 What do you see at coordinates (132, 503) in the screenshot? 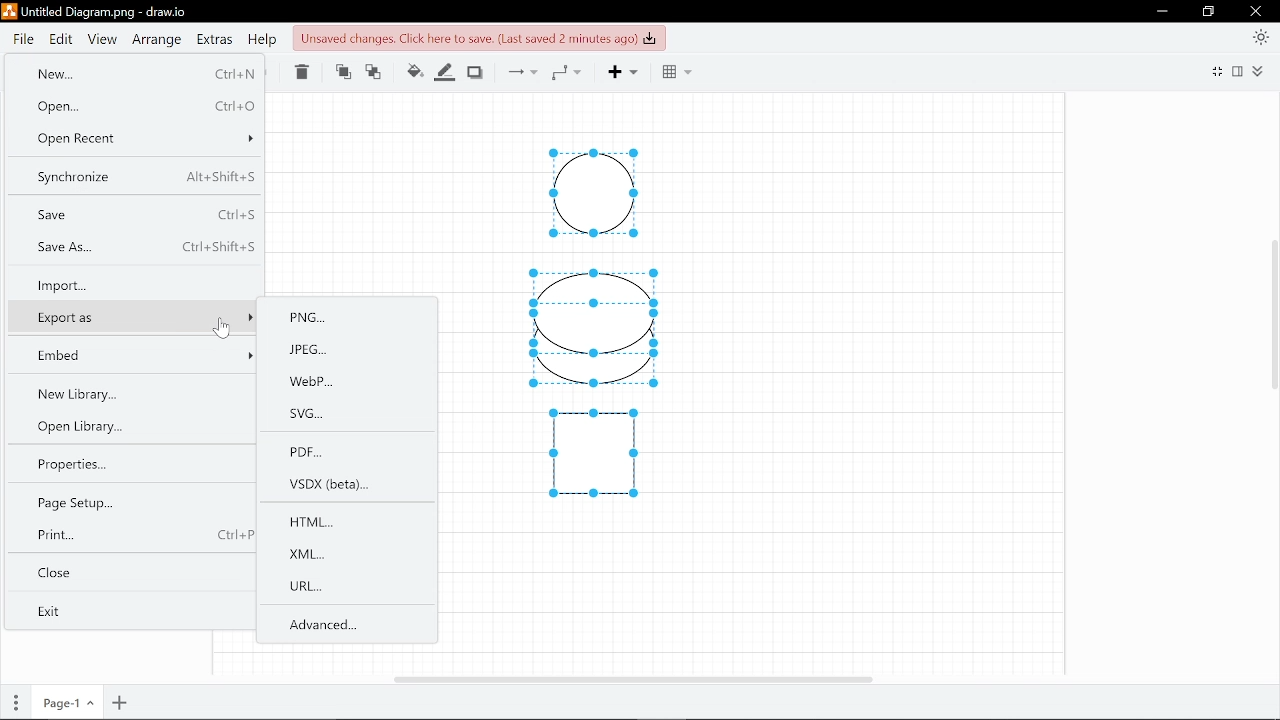
I see `Page setup` at bounding box center [132, 503].